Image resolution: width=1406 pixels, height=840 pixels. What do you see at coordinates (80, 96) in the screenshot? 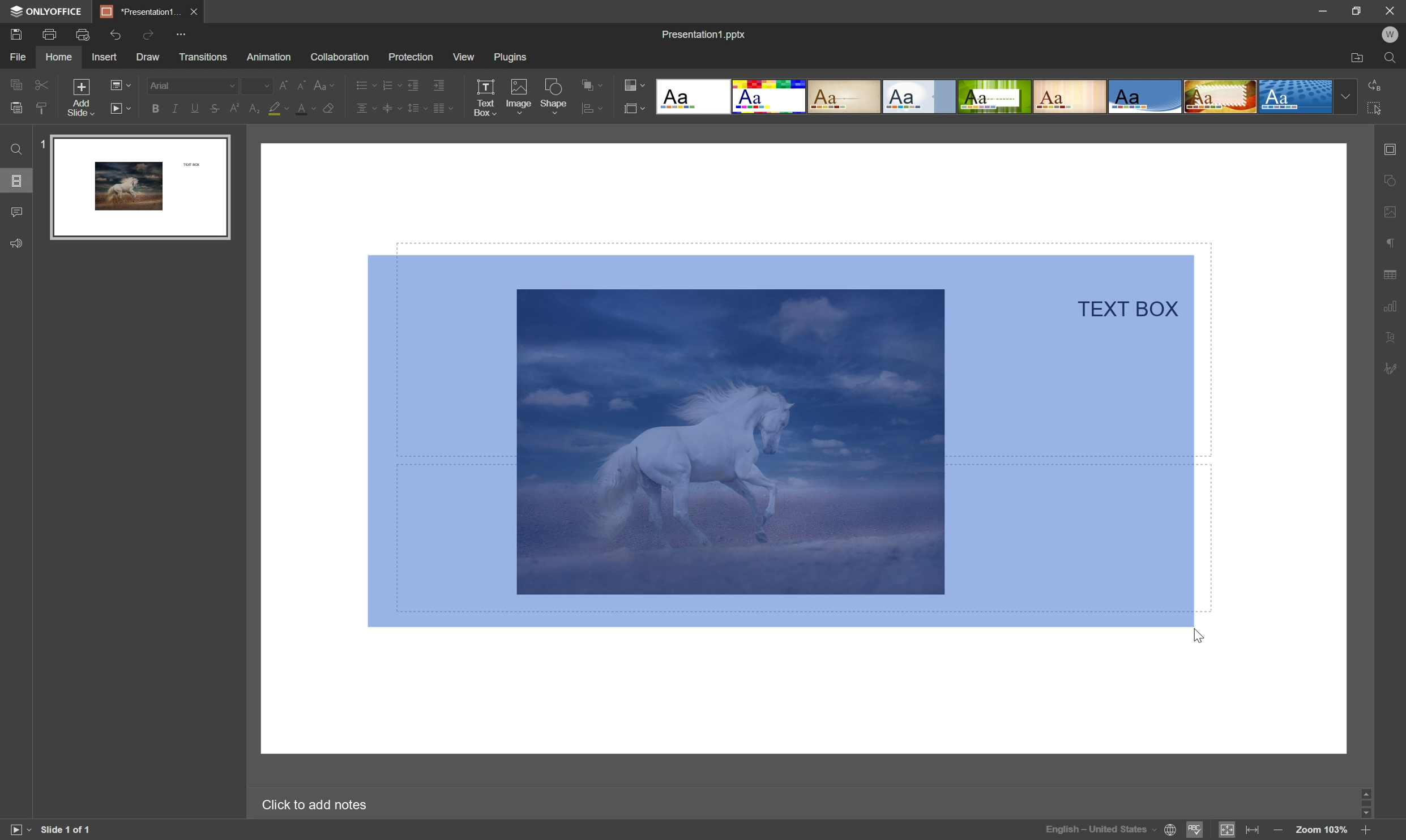
I see `add slide` at bounding box center [80, 96].